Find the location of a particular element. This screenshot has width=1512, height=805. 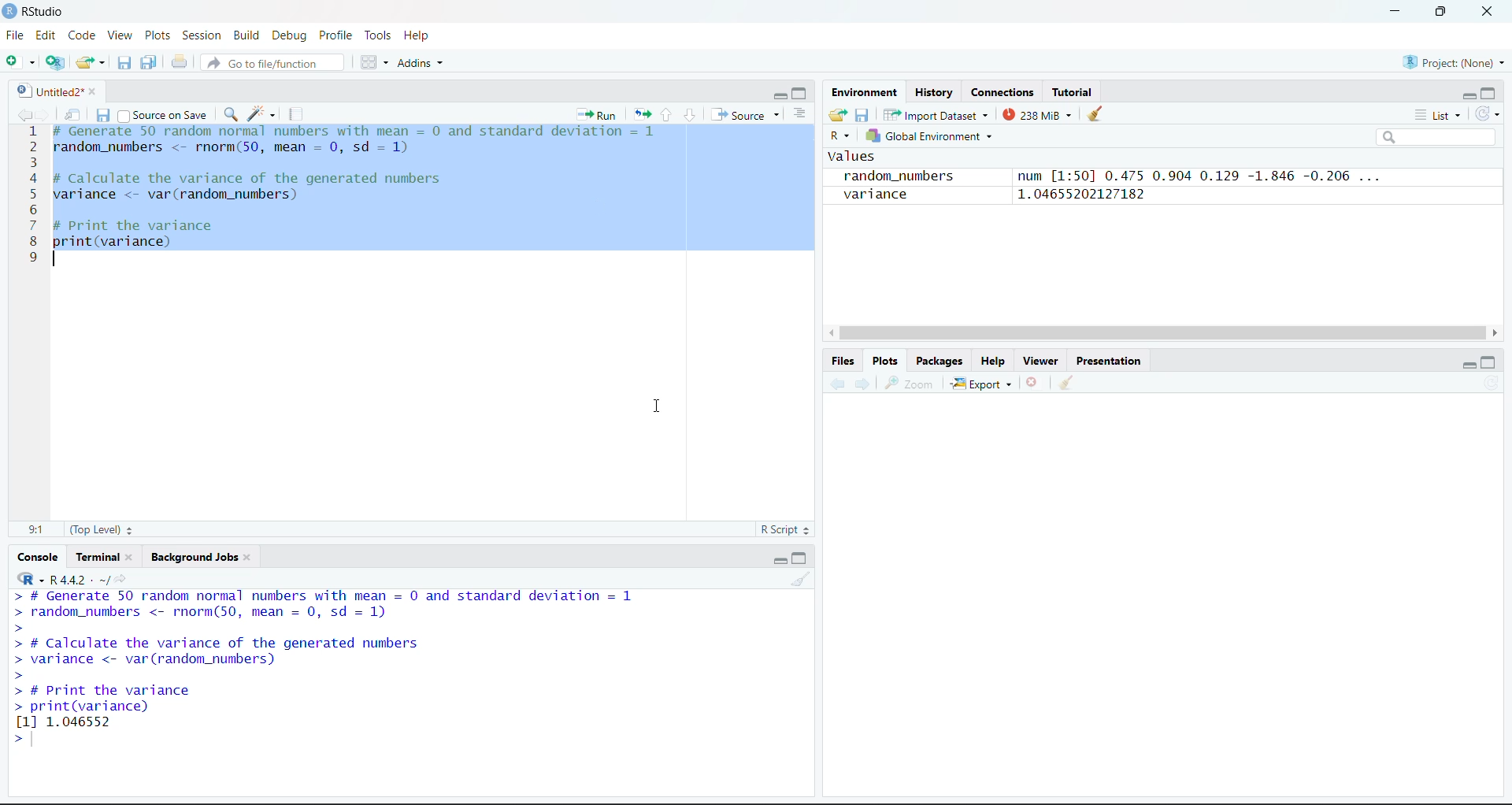

save all is located at coordinates (149, 62).